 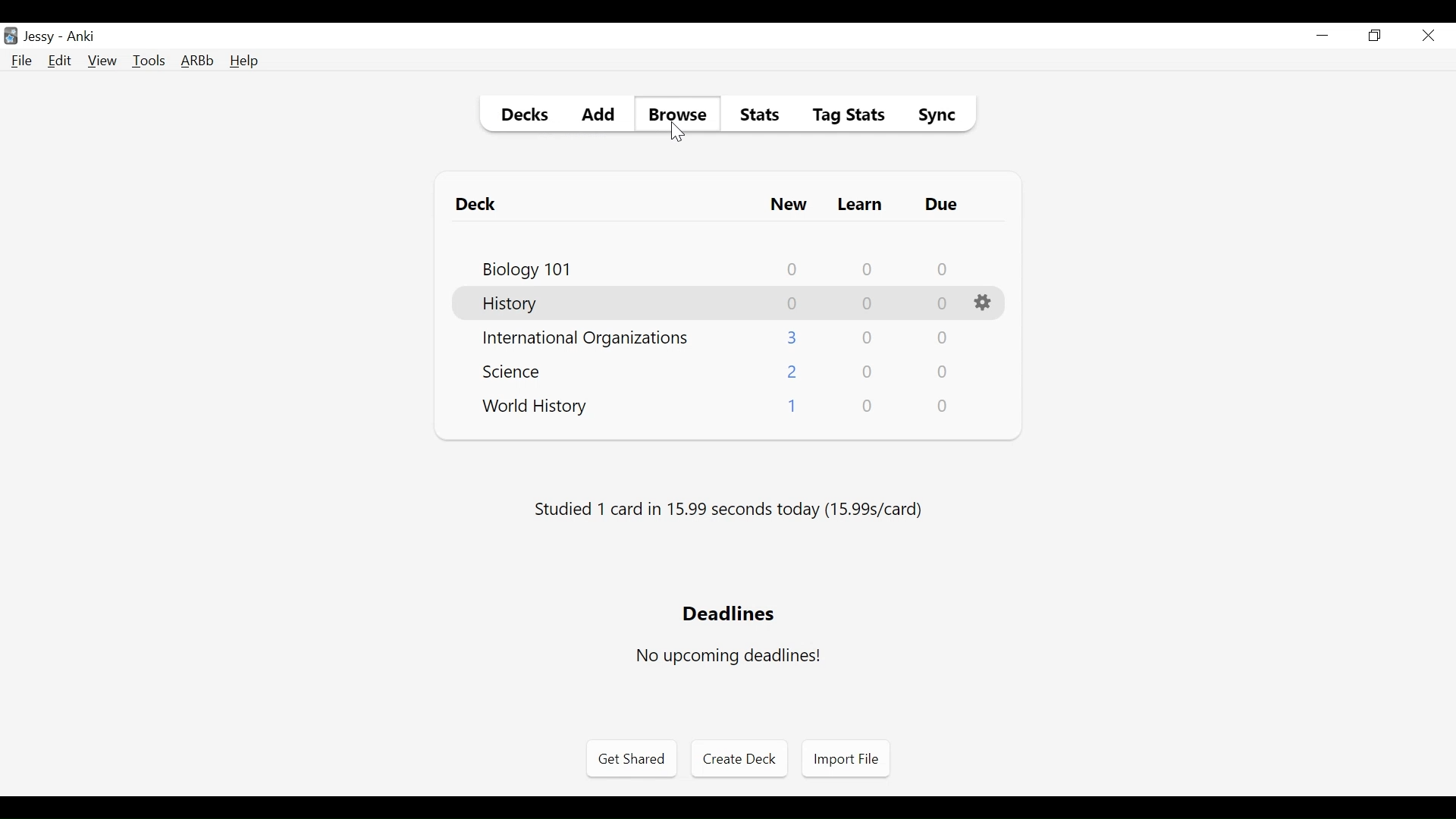 What do you see at coordinates (941, 337) in the screenshot?
I see `Due Card Count` at bounding box center [941, 337].